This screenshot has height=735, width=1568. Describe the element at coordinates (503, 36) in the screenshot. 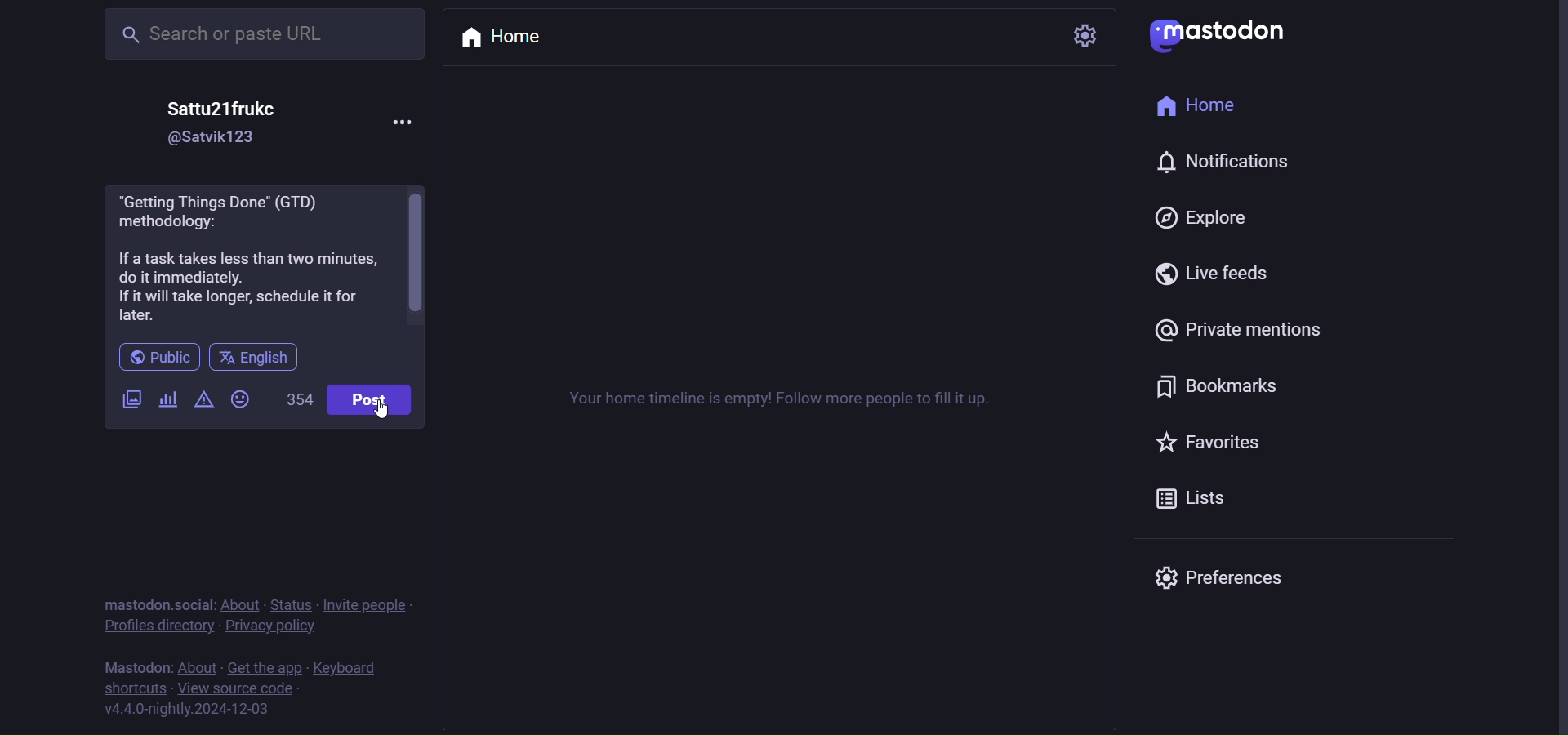

I see `home` at that location.